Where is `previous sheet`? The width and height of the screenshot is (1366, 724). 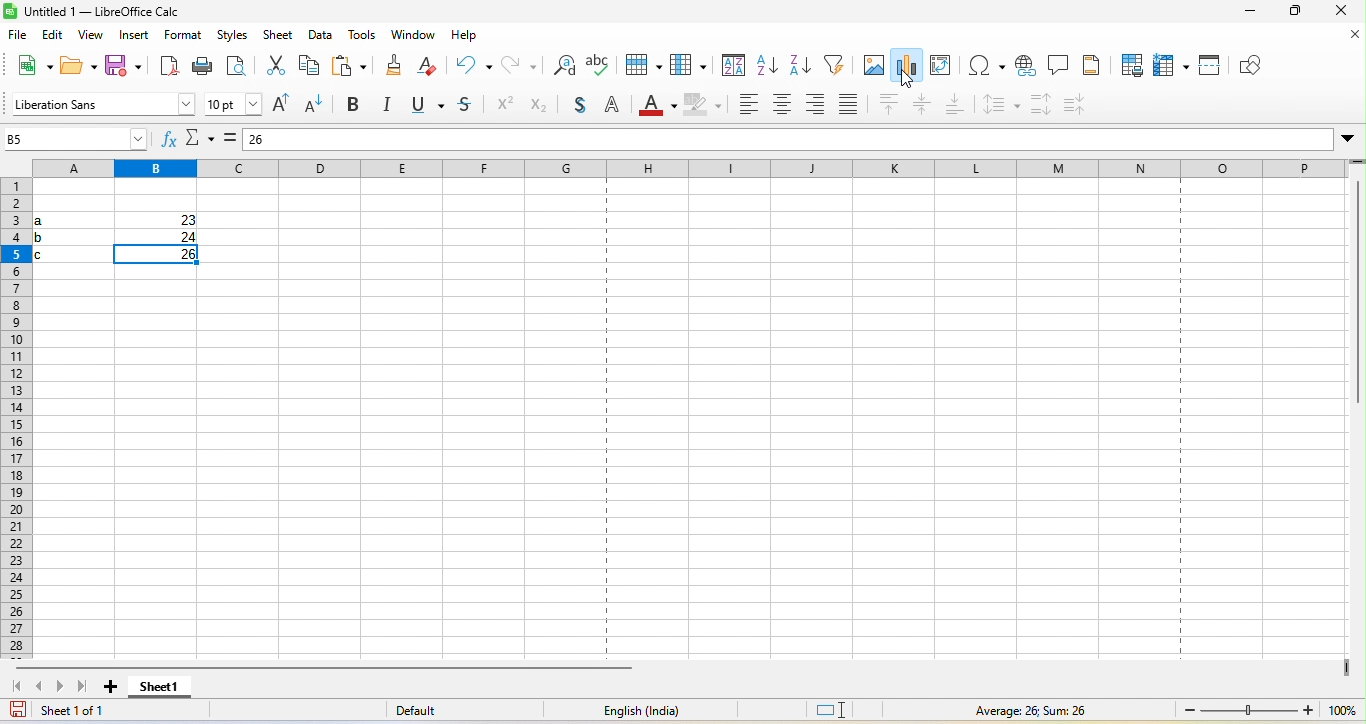
previous sheet is located at coordinates (40, 688).